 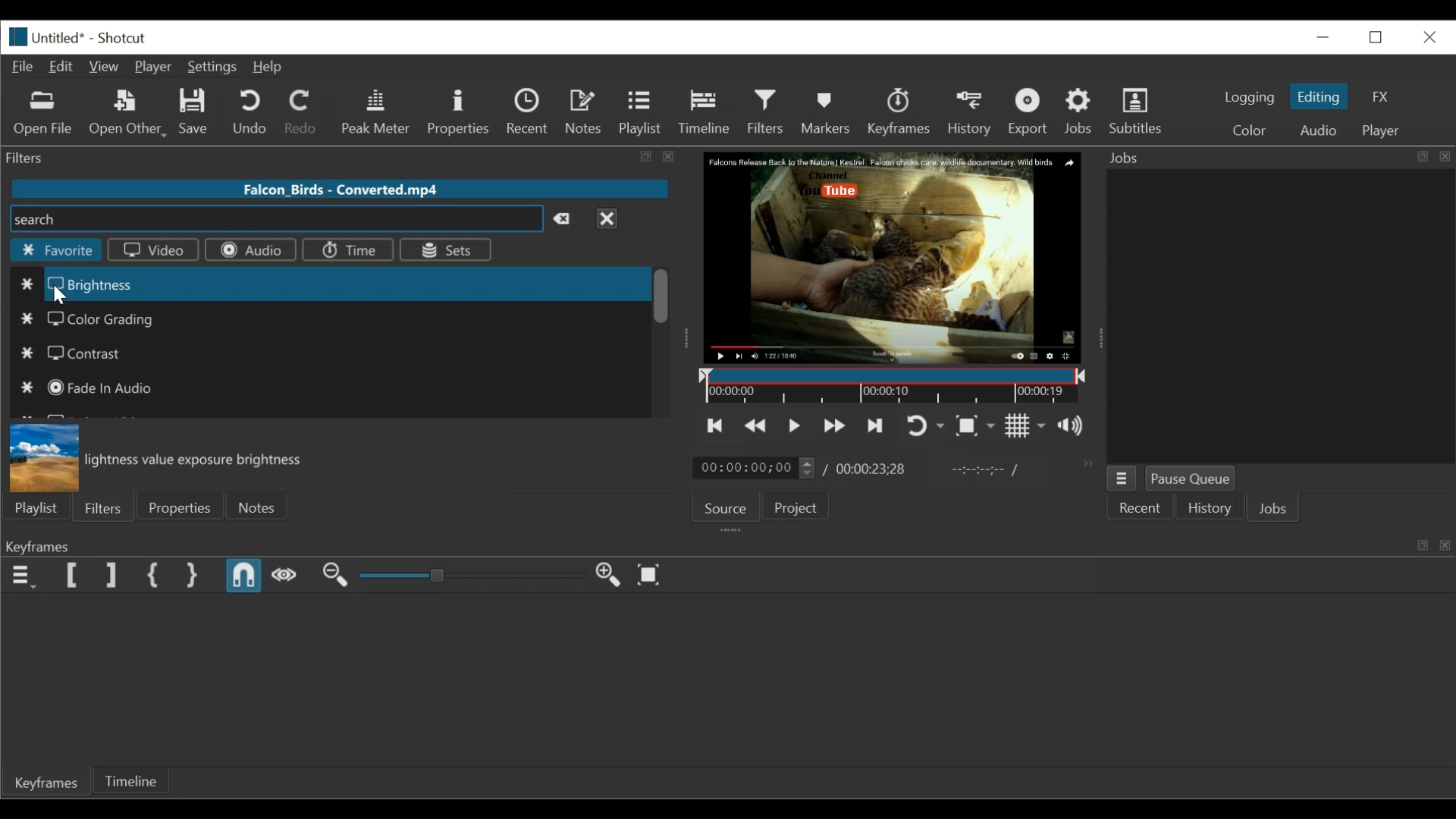 I want to click on Play forward quickly, so click(x=831, y=426).